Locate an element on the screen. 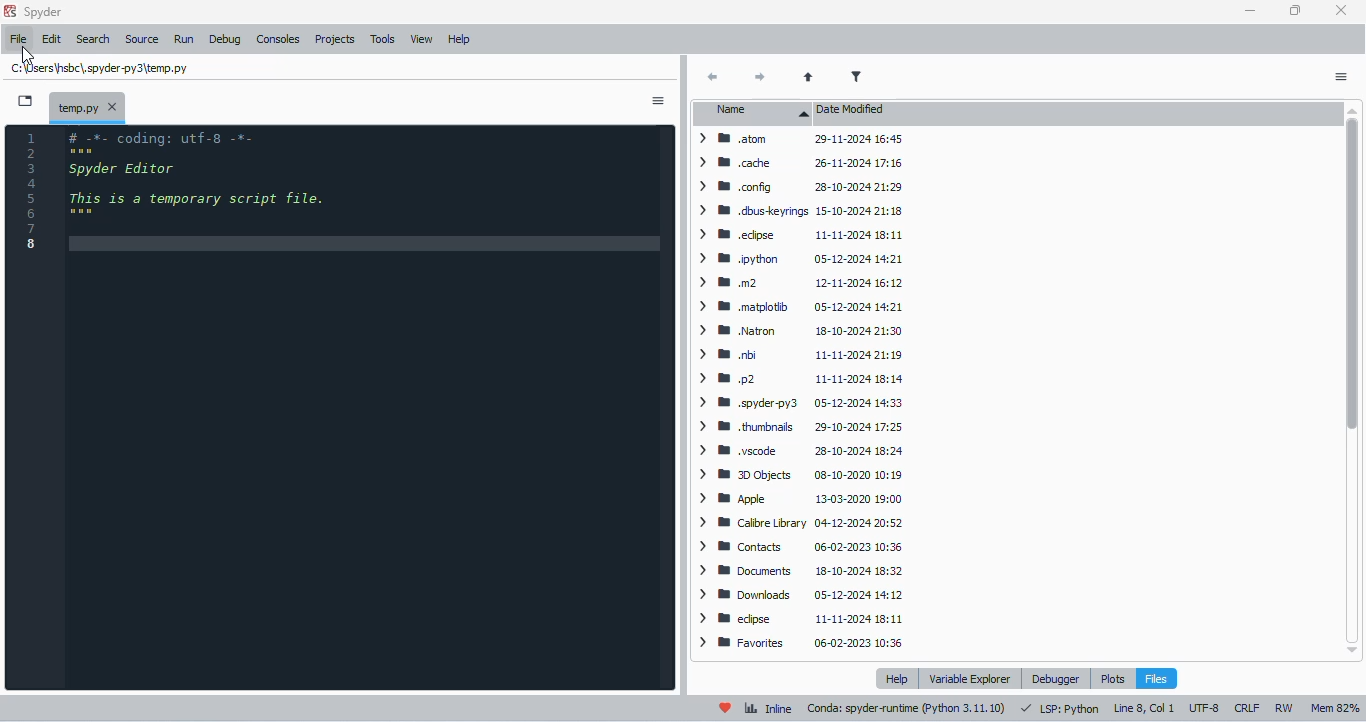 The width and height of the screenshot is (1366, 722). mem 82% is located at coordinates (1334, 708).